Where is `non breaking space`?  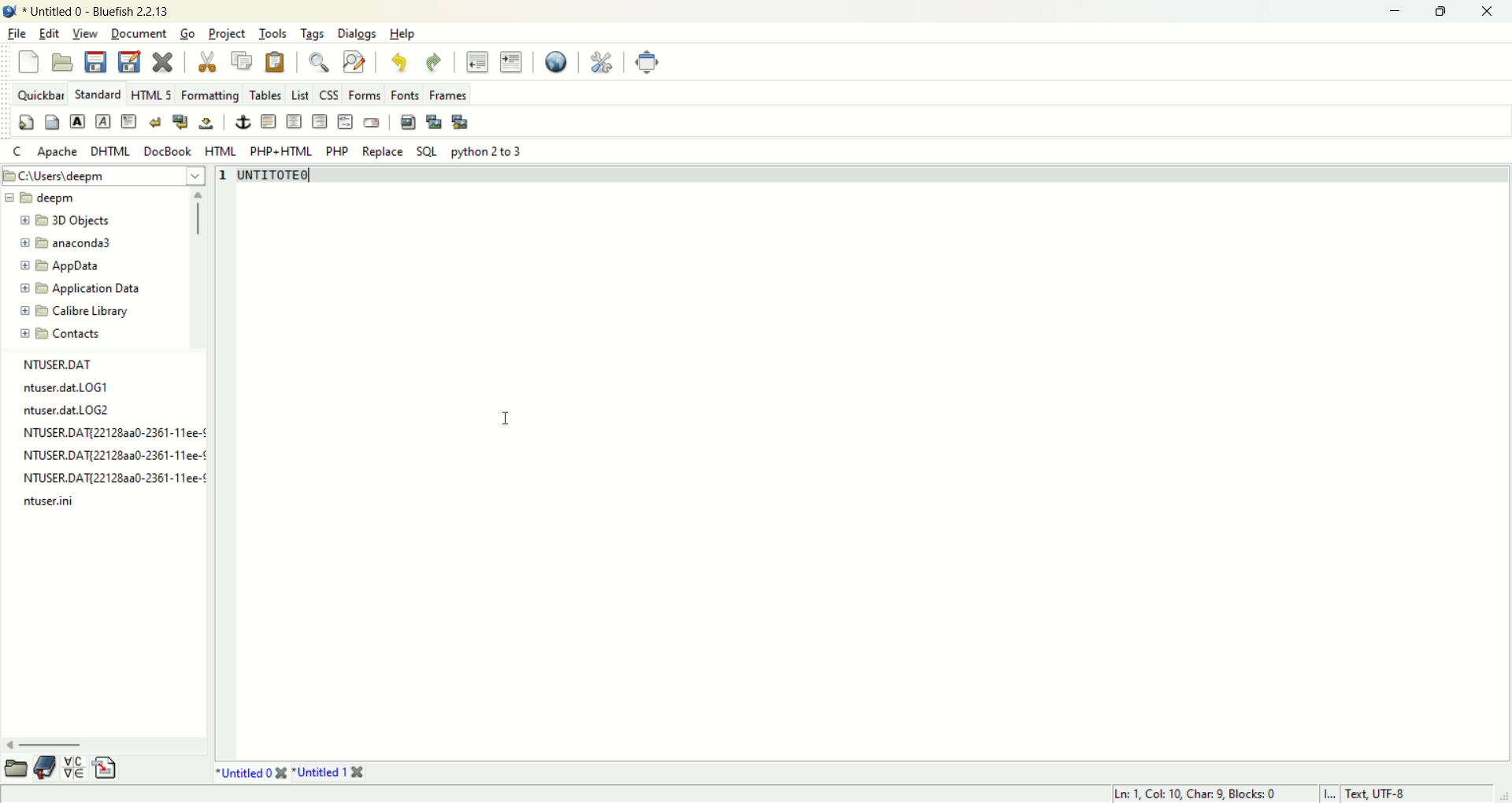
non breaking space is located at coordinates (206, 125).